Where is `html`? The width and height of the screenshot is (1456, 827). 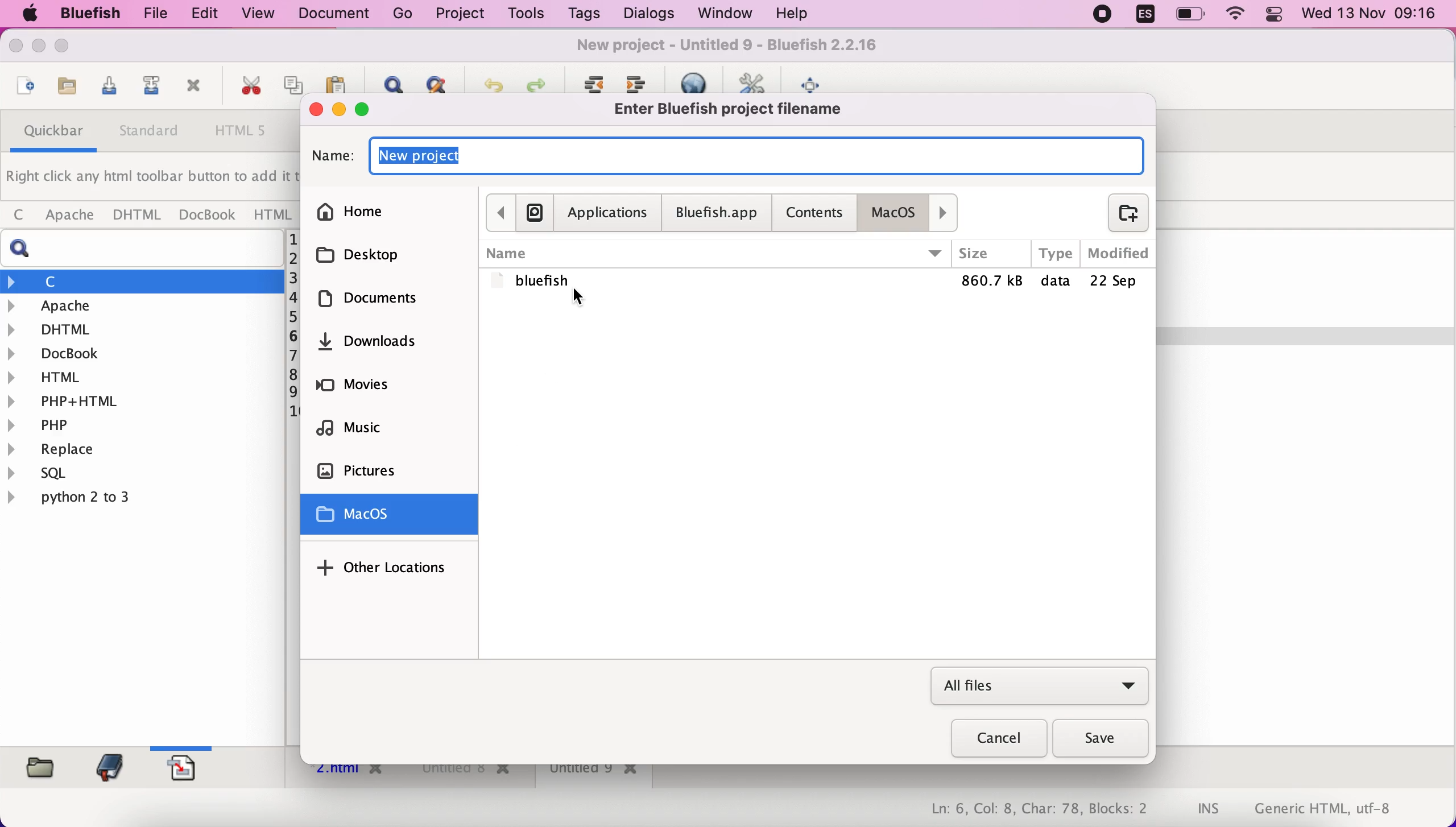
html is located at coordinates (143, 376).